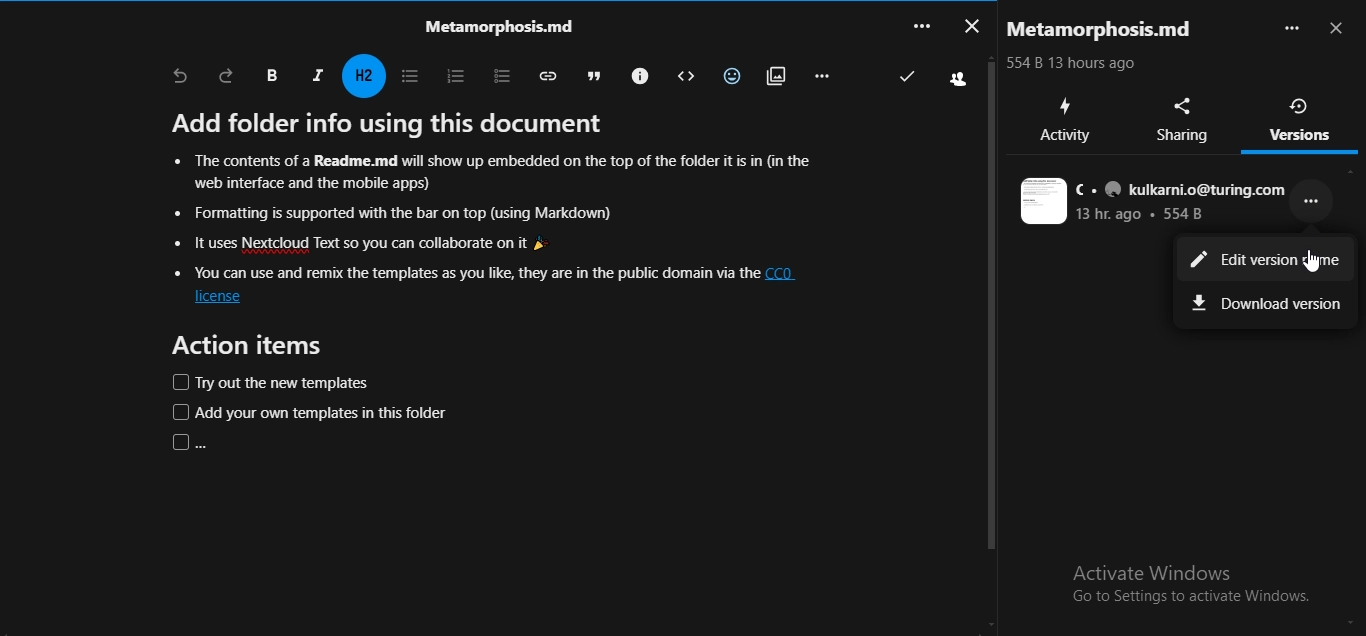 The width and height of the screenshot is (1366, 636). Describe the element at coordinates (227, 75) in the screenshot. I see `redo` at that location.